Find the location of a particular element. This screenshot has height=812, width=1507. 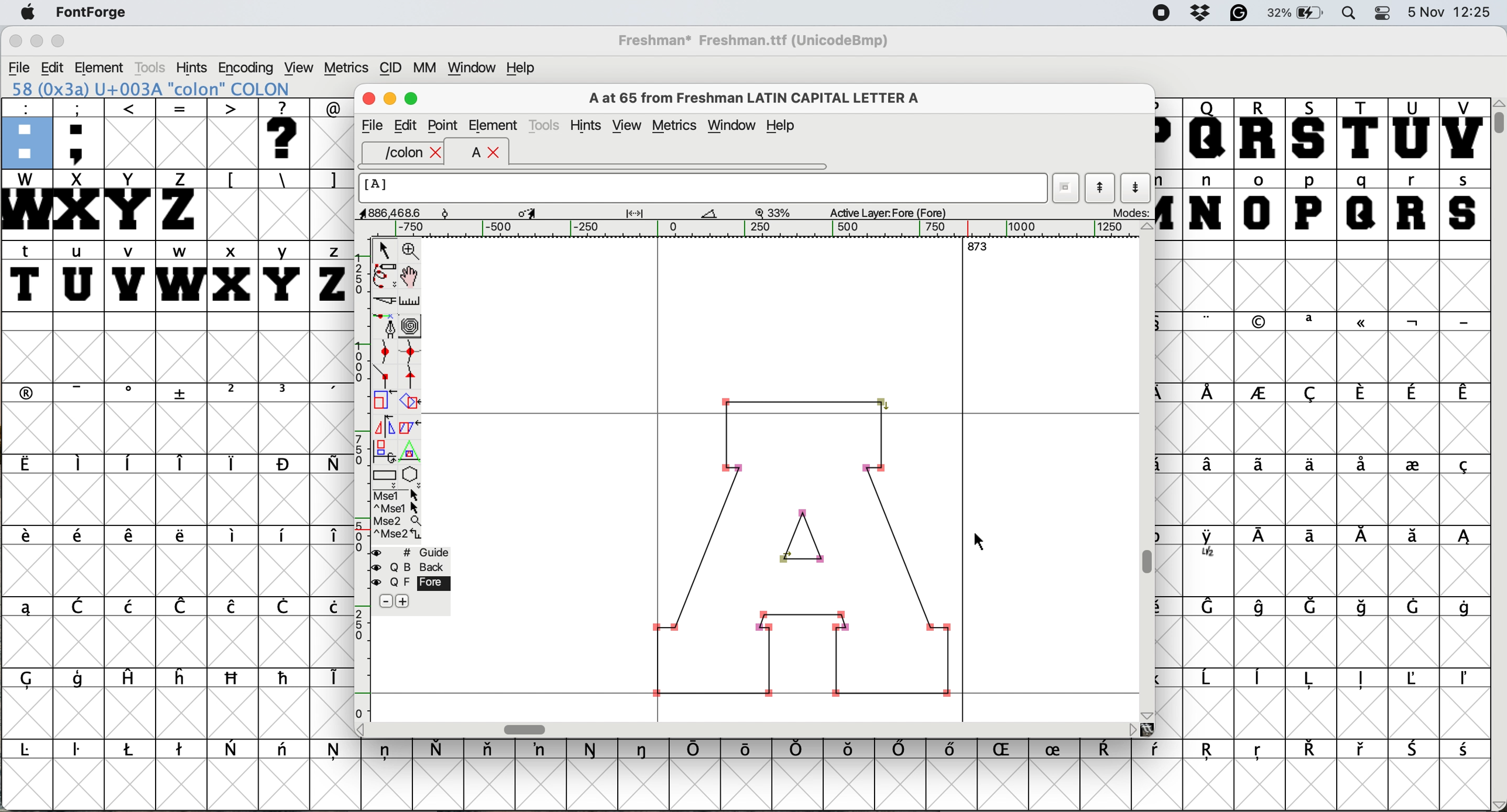

symbol is located at coordinates (1210, 753).